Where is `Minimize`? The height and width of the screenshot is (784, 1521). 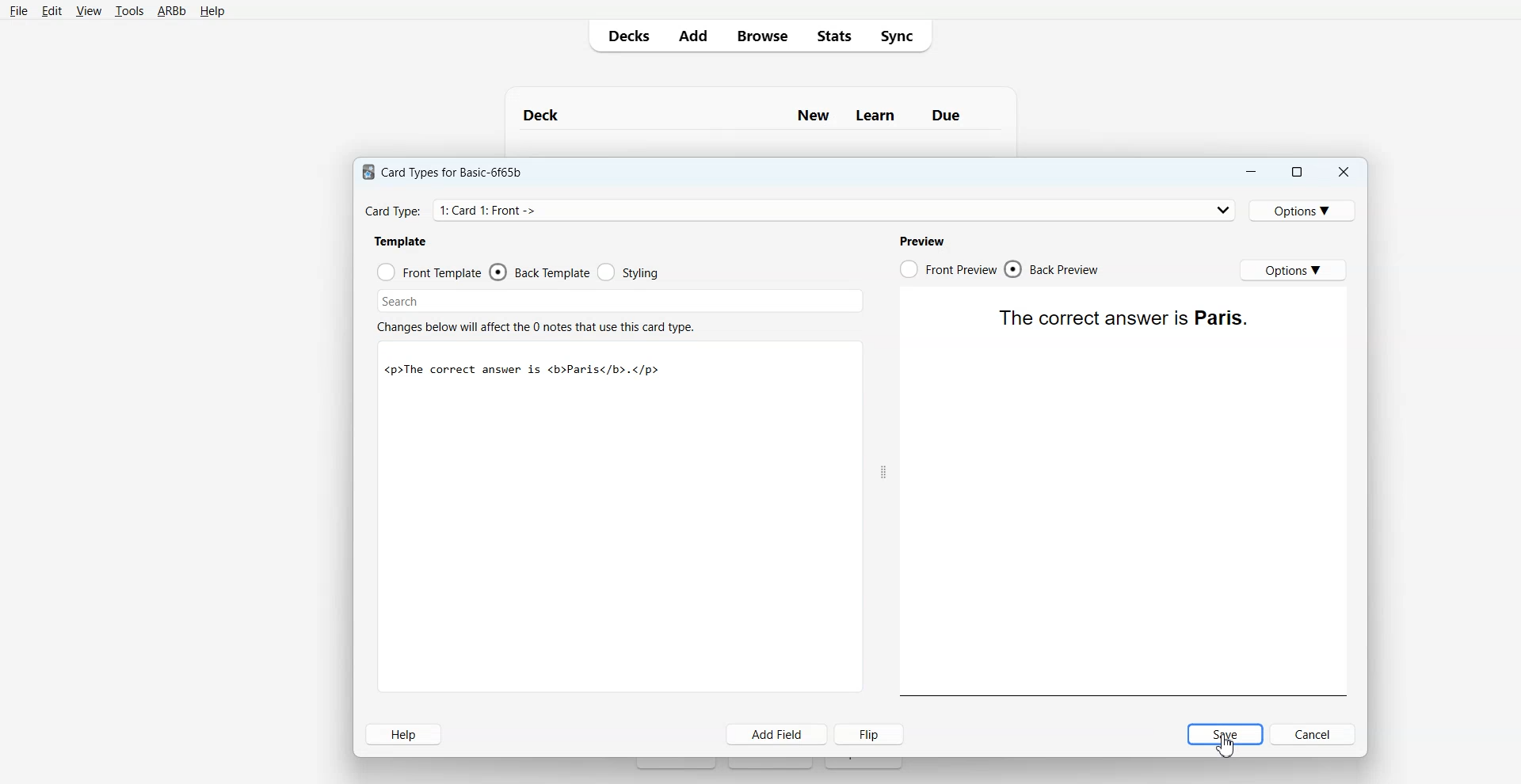
Minimize is located at coordinates (1252, 171).